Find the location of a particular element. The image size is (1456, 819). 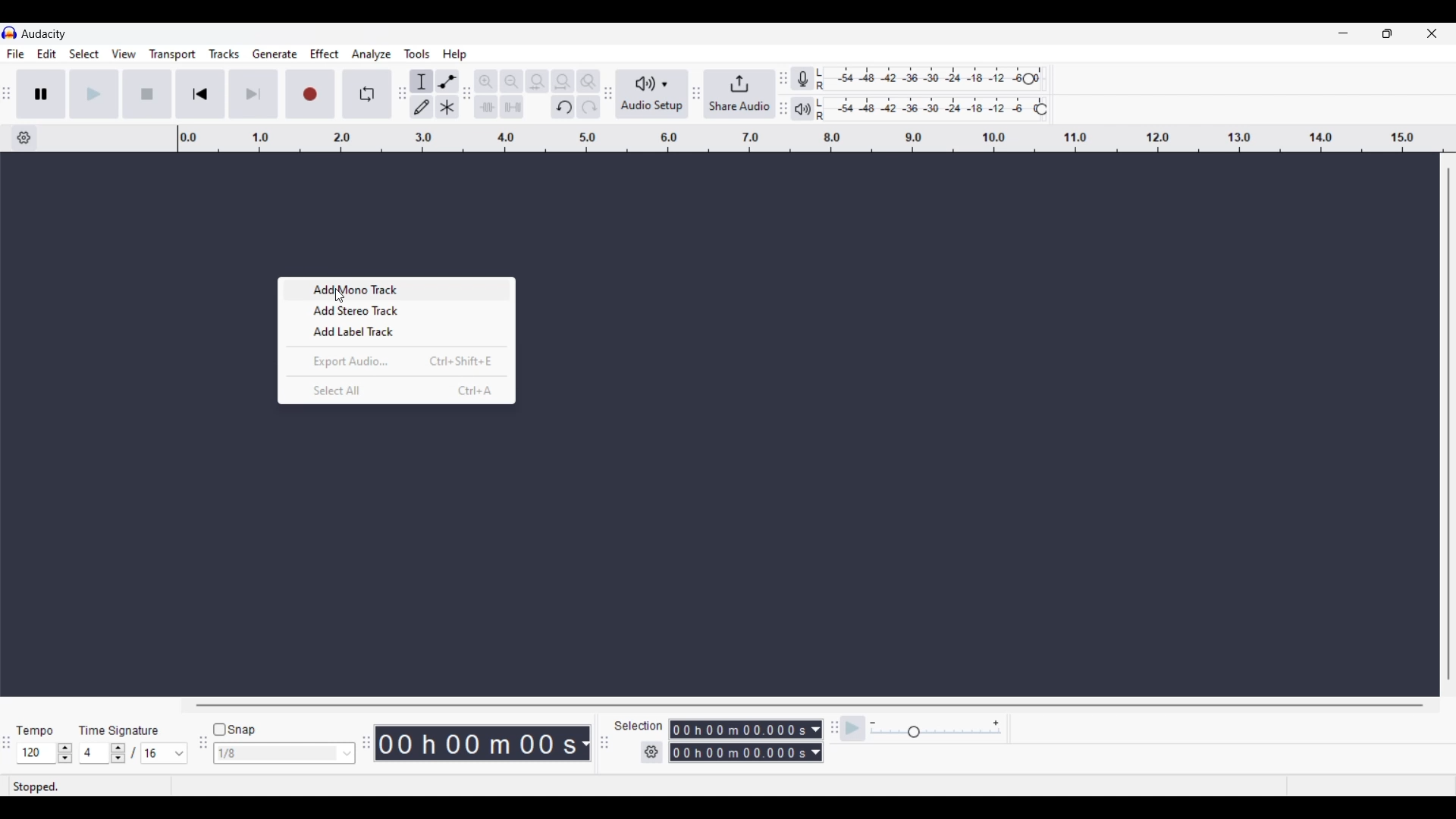

Tools menu is located at coordinates (417, 54).